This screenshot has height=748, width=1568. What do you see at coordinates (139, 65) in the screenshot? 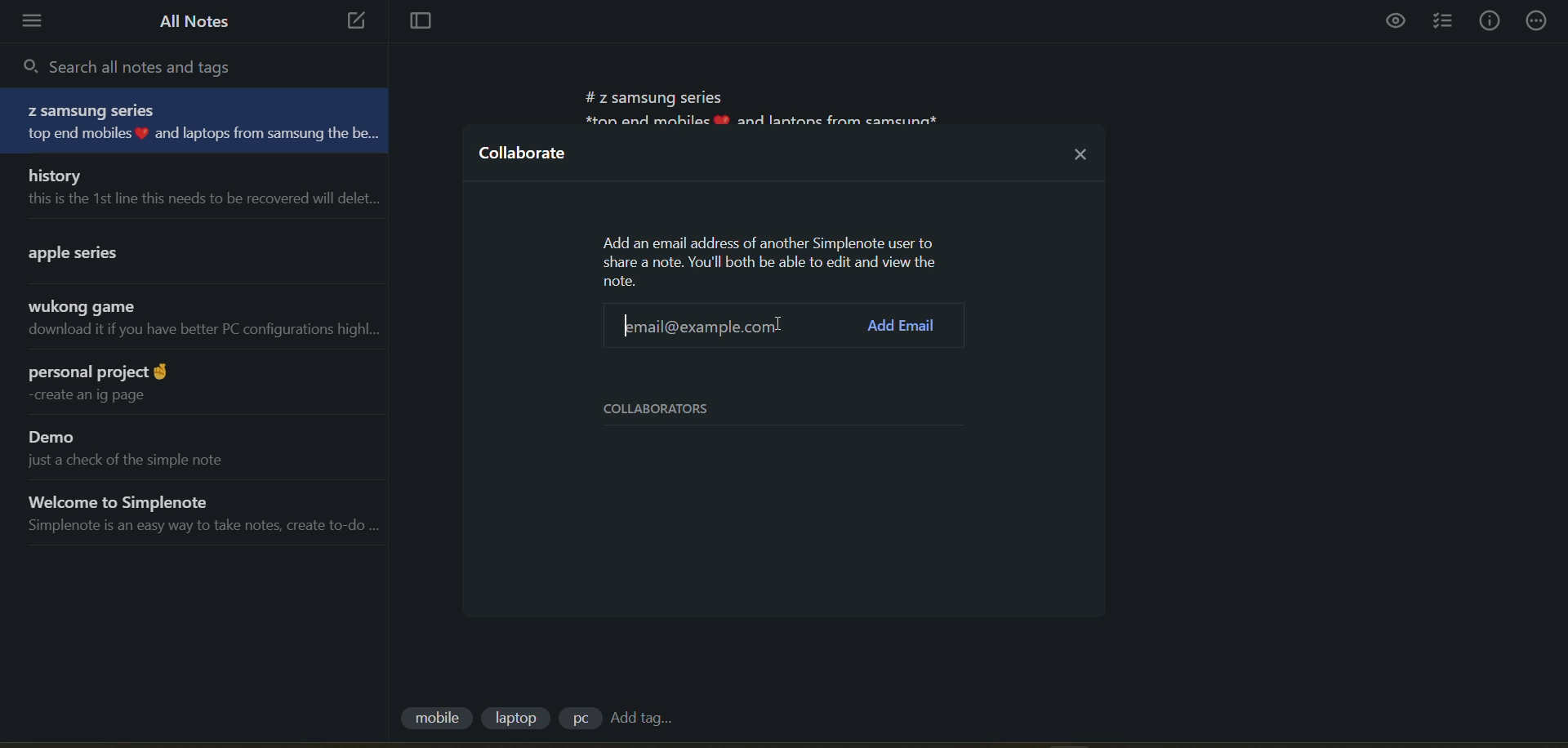
I see `search all notes and tags` at bounding box center [139, 65].